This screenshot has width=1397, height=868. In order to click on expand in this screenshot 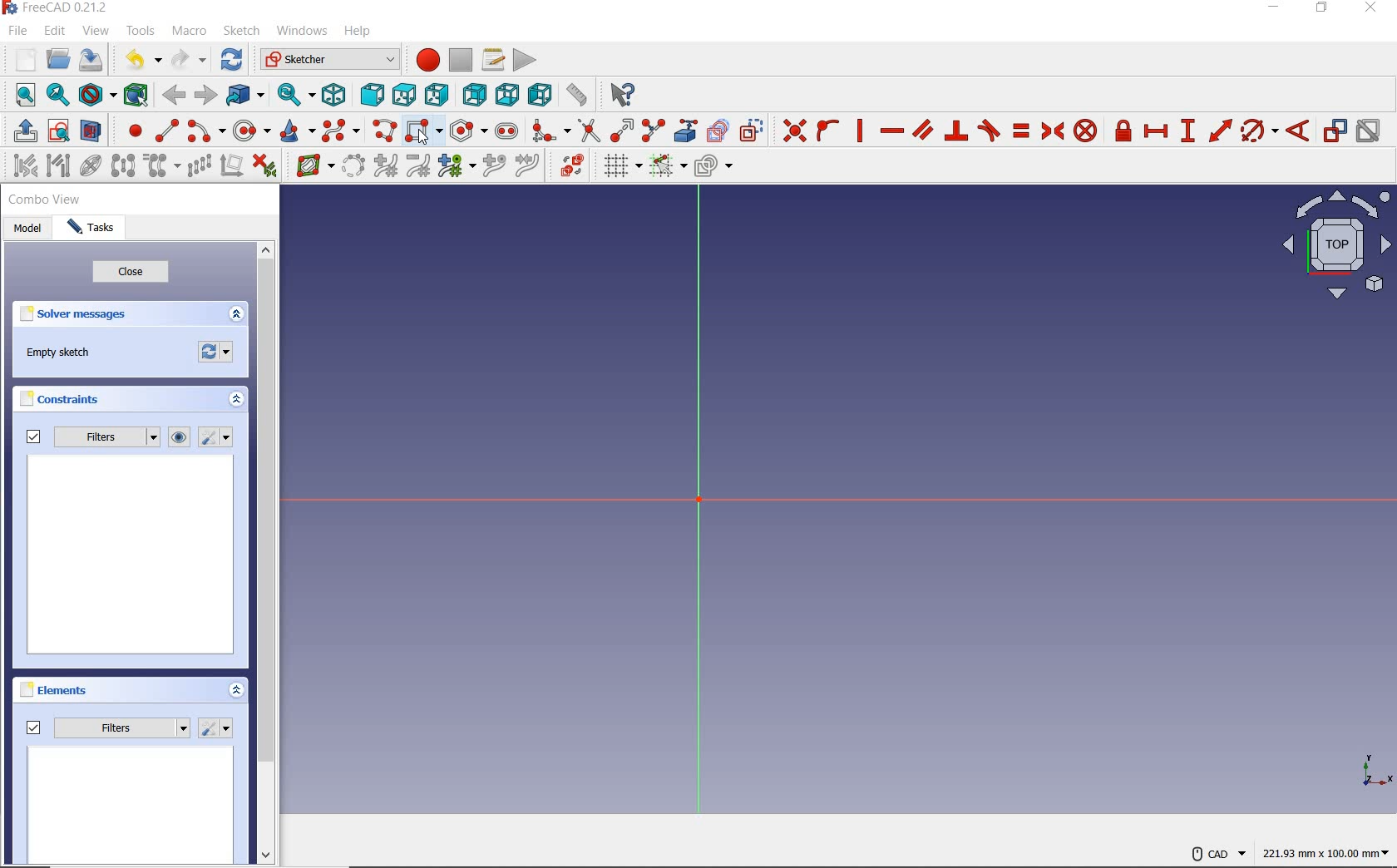, I will do `click(237, 401)`.